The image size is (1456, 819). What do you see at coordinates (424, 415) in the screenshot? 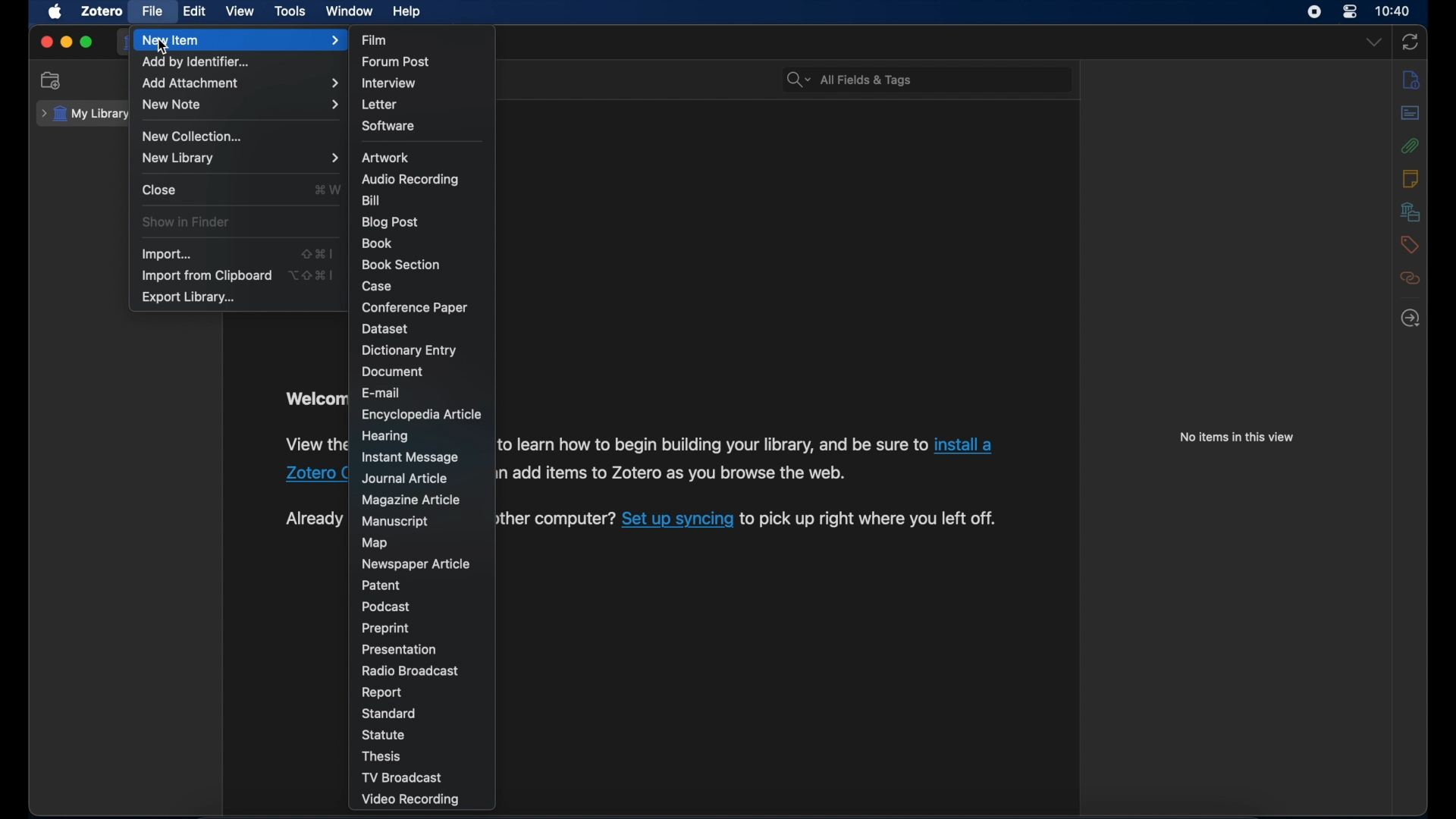
I see `encyclopedia article` at bounding box center [424, 415].